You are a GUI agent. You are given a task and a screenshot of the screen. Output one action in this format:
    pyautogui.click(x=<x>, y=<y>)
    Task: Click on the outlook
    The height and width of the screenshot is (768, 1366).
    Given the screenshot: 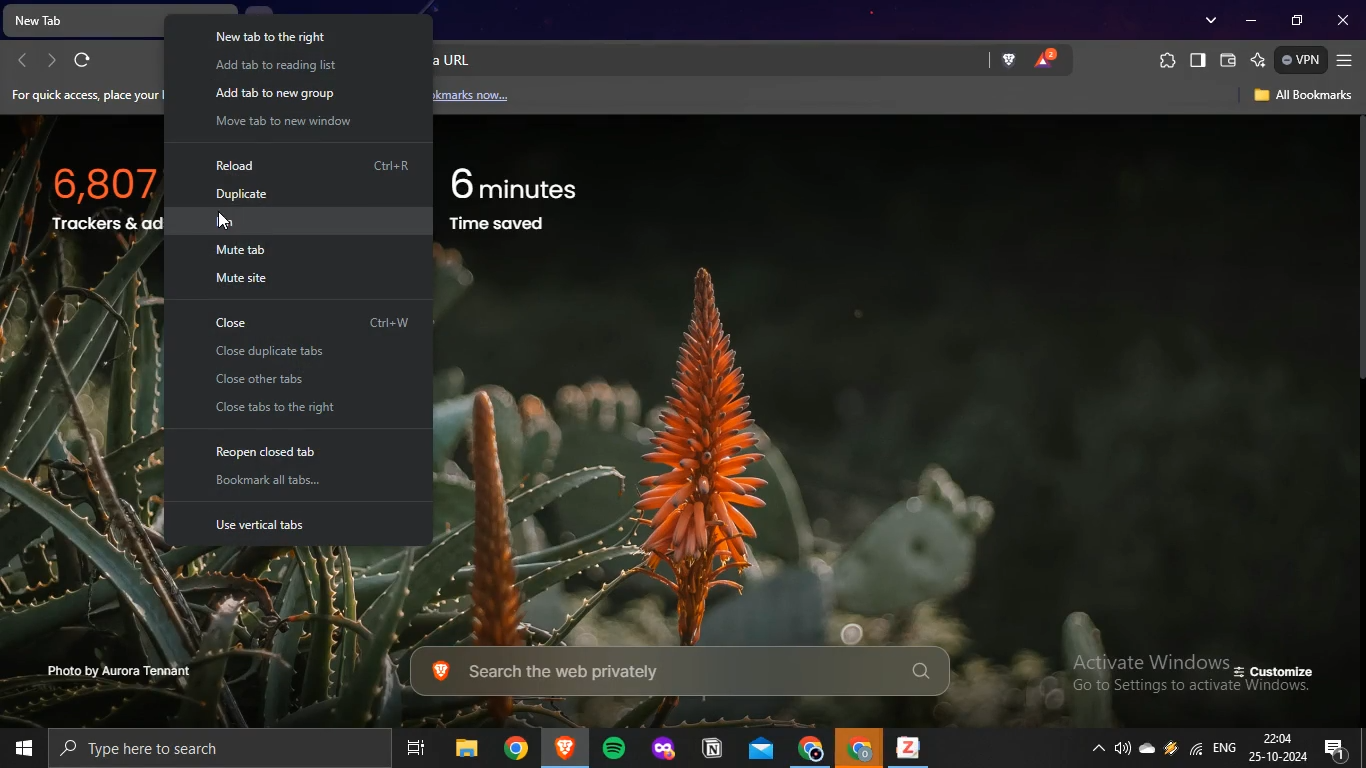 What is the action you would take?
    pyautogui.click(x=762, y=749)
    